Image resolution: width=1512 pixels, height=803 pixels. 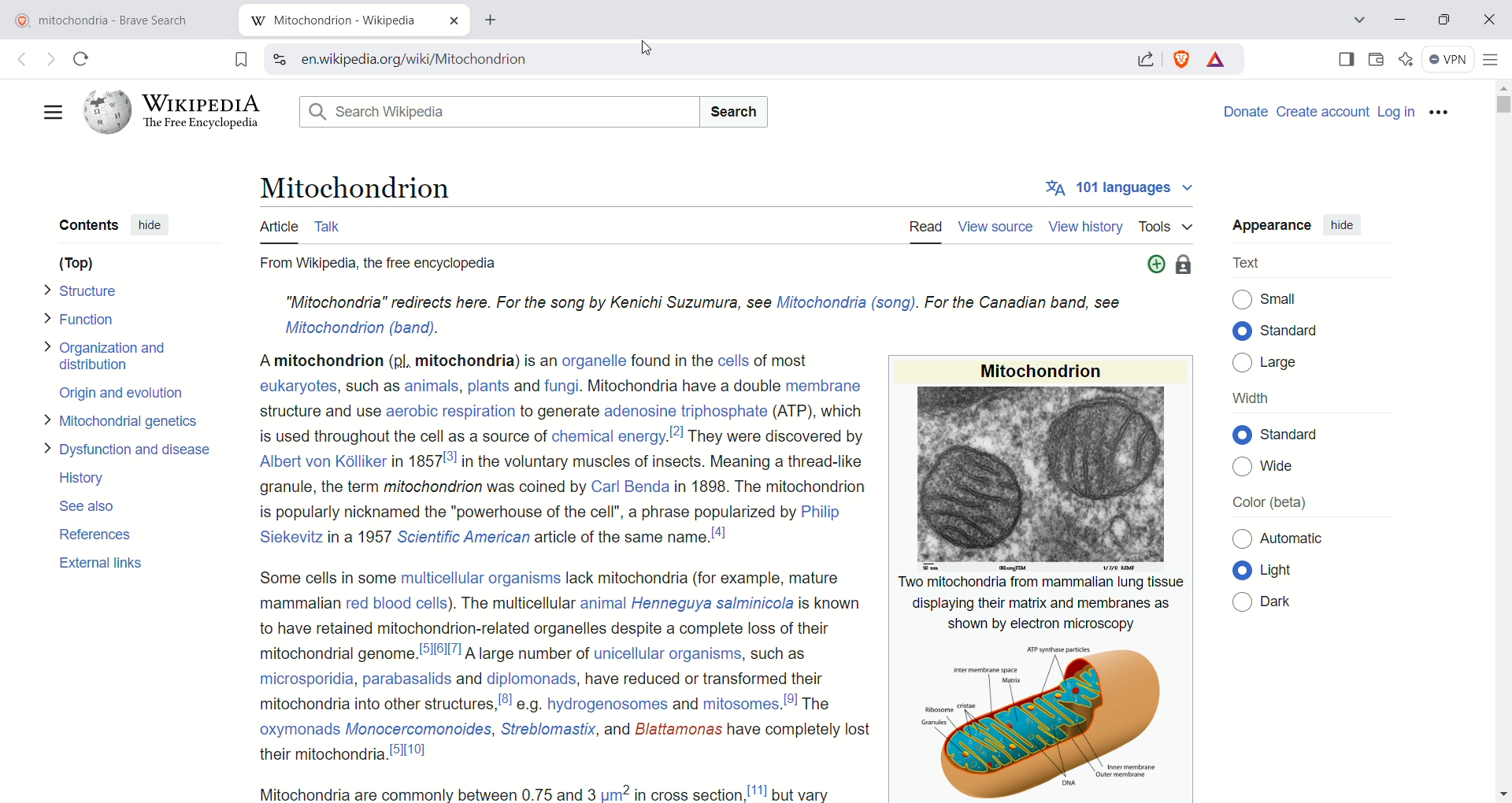 What do you see at coordinates (335, 225) in the screenshot?
I see `Talk` at bounding box center [335, 225].